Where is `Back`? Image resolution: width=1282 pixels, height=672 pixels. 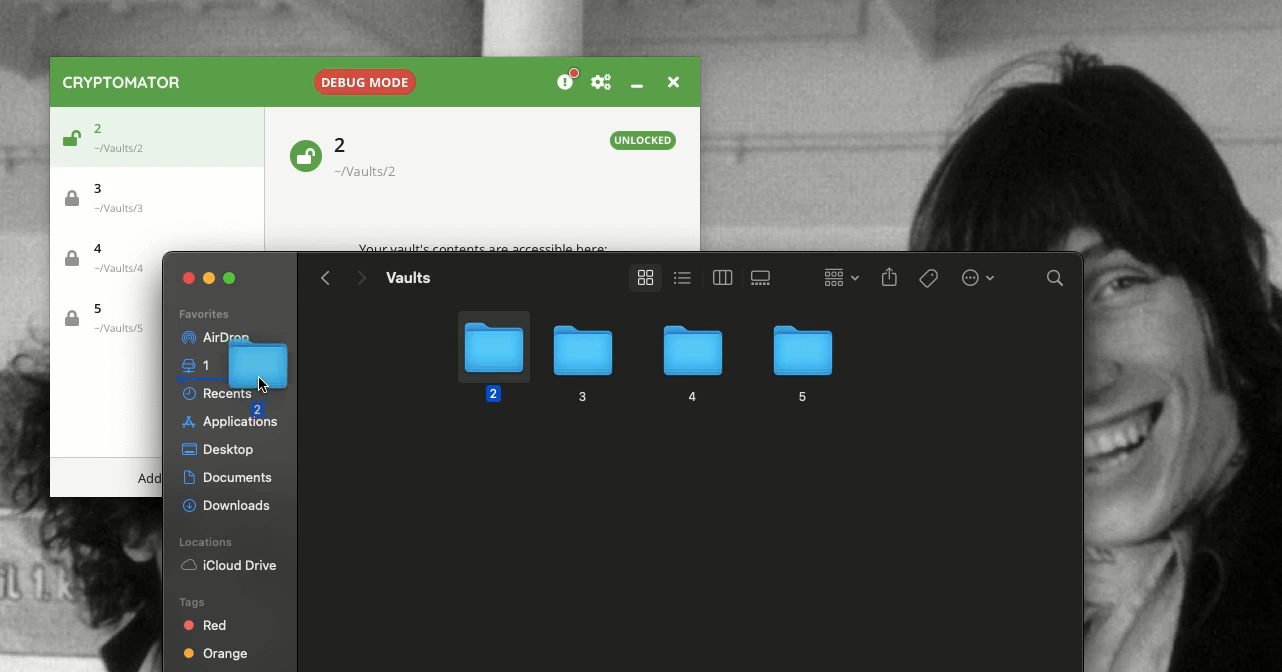
Back is located at coordinates (326, 278).